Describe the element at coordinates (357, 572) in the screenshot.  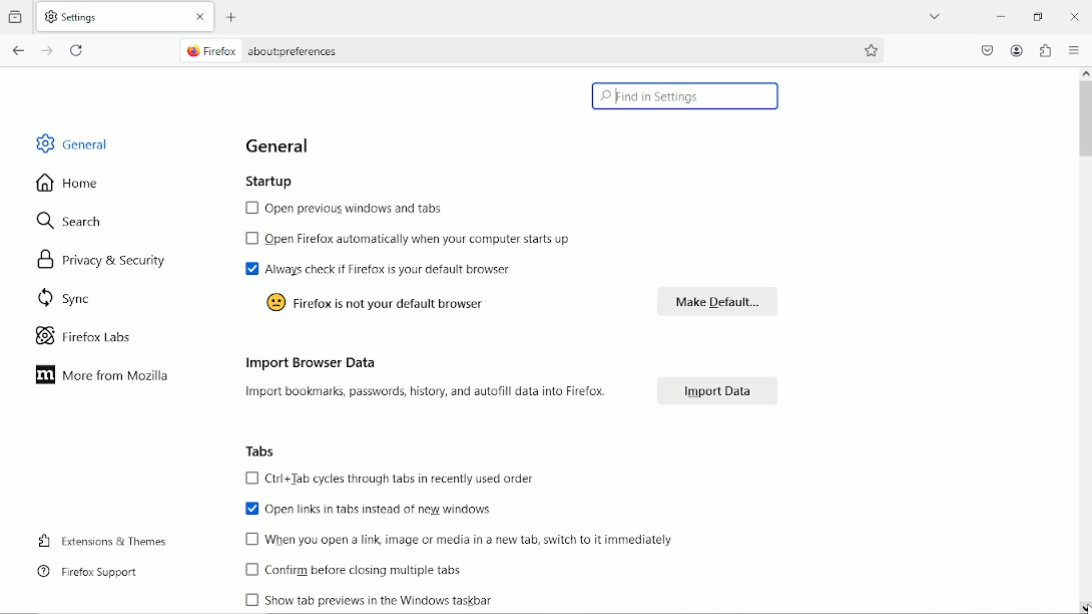
I see `Confirm before closing multiple tabs` at that location.